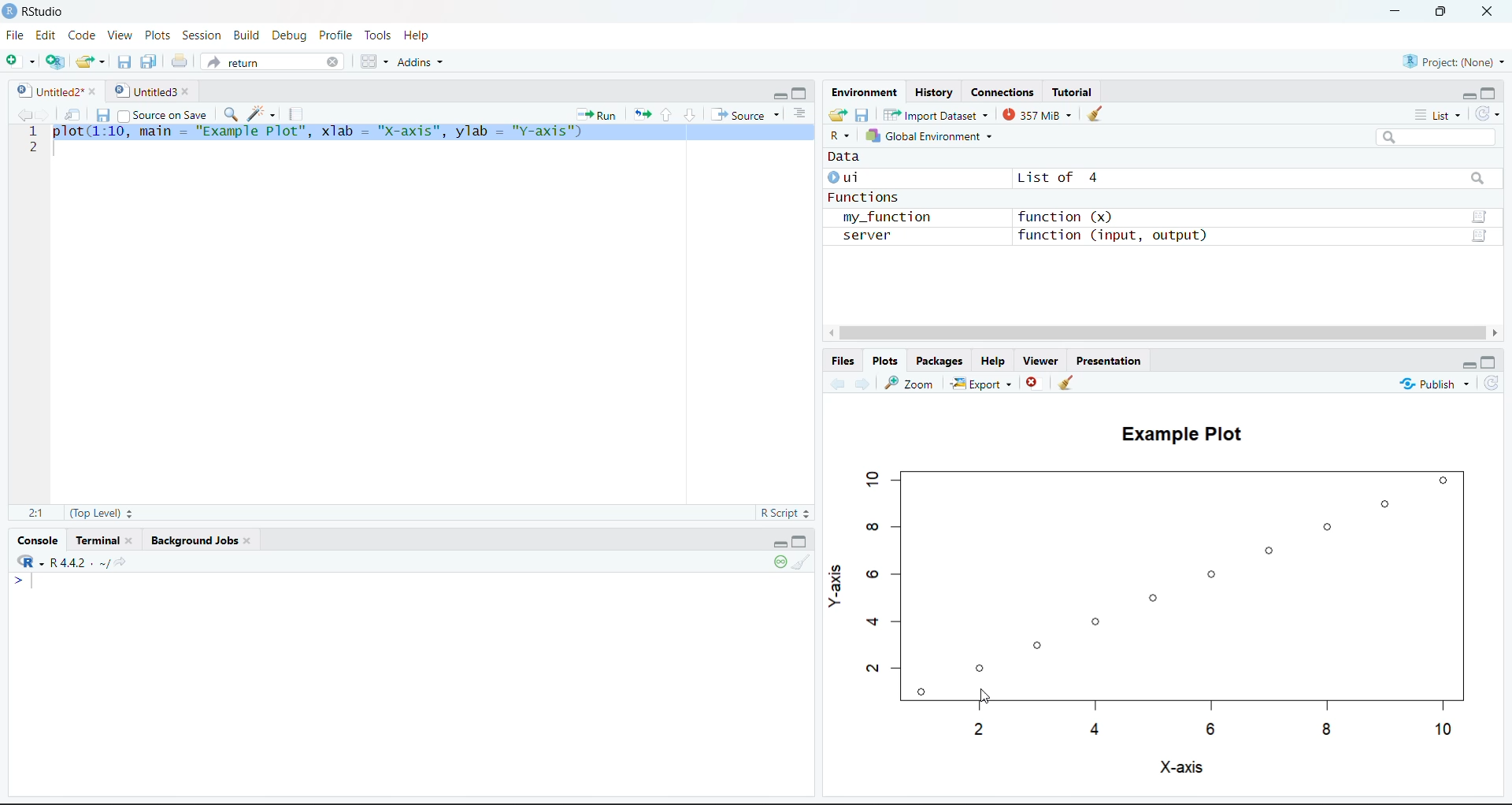  I want to click on Publish, so click(1434, 382).